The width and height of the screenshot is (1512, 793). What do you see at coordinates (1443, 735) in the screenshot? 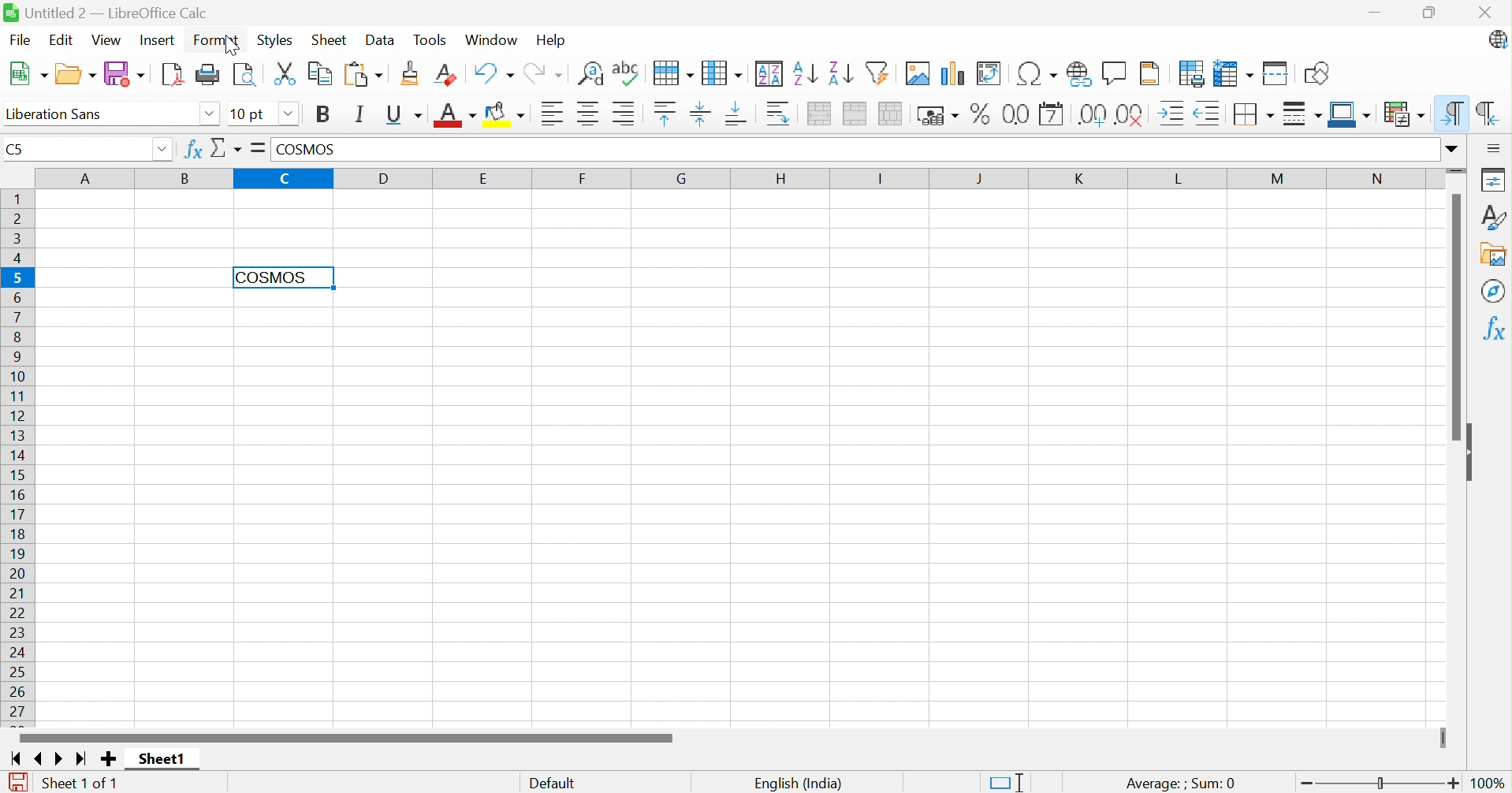
I see `Slider` at bounding box center [1443, 735].